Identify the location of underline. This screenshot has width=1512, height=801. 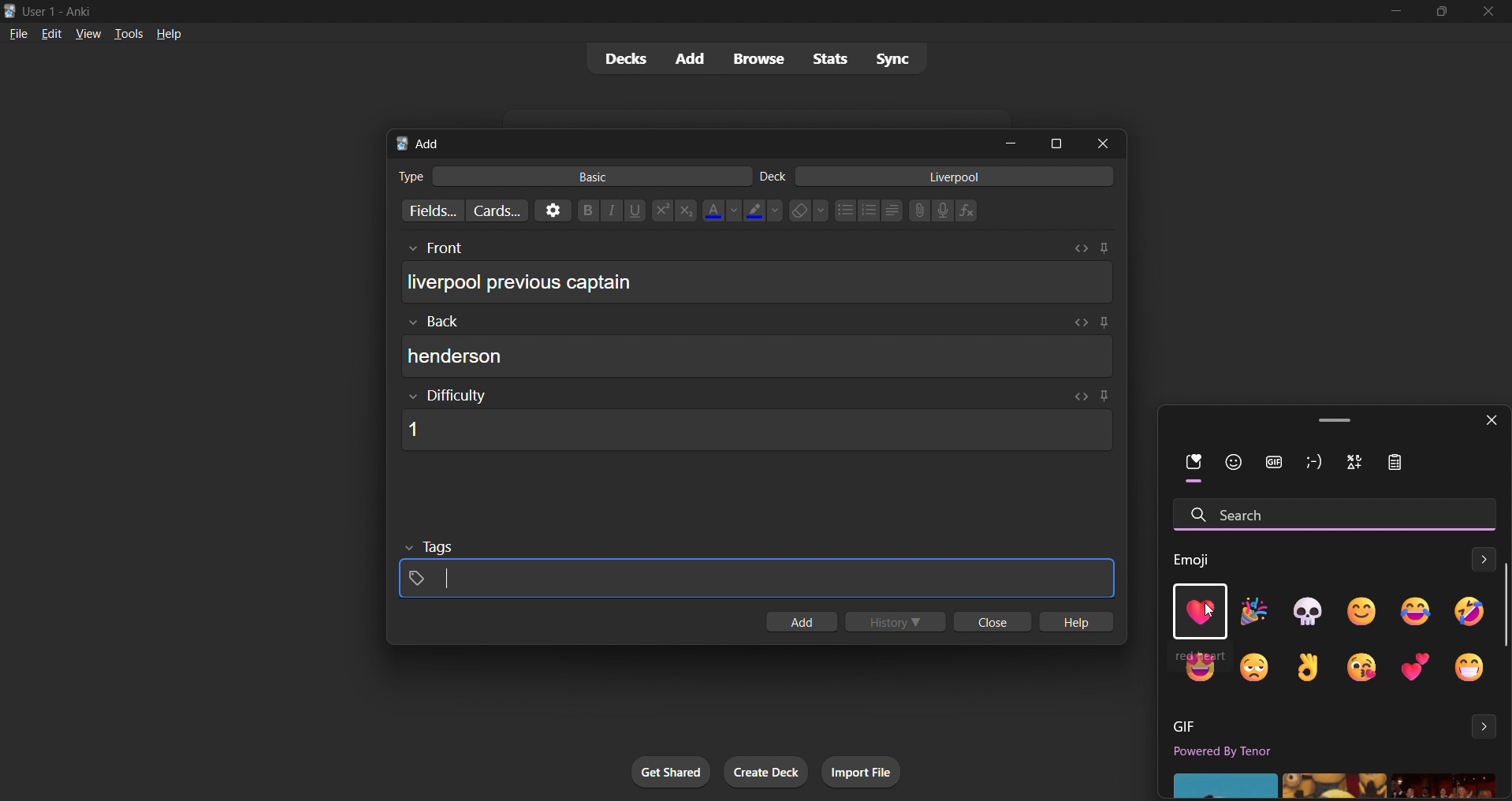
(637, 210).